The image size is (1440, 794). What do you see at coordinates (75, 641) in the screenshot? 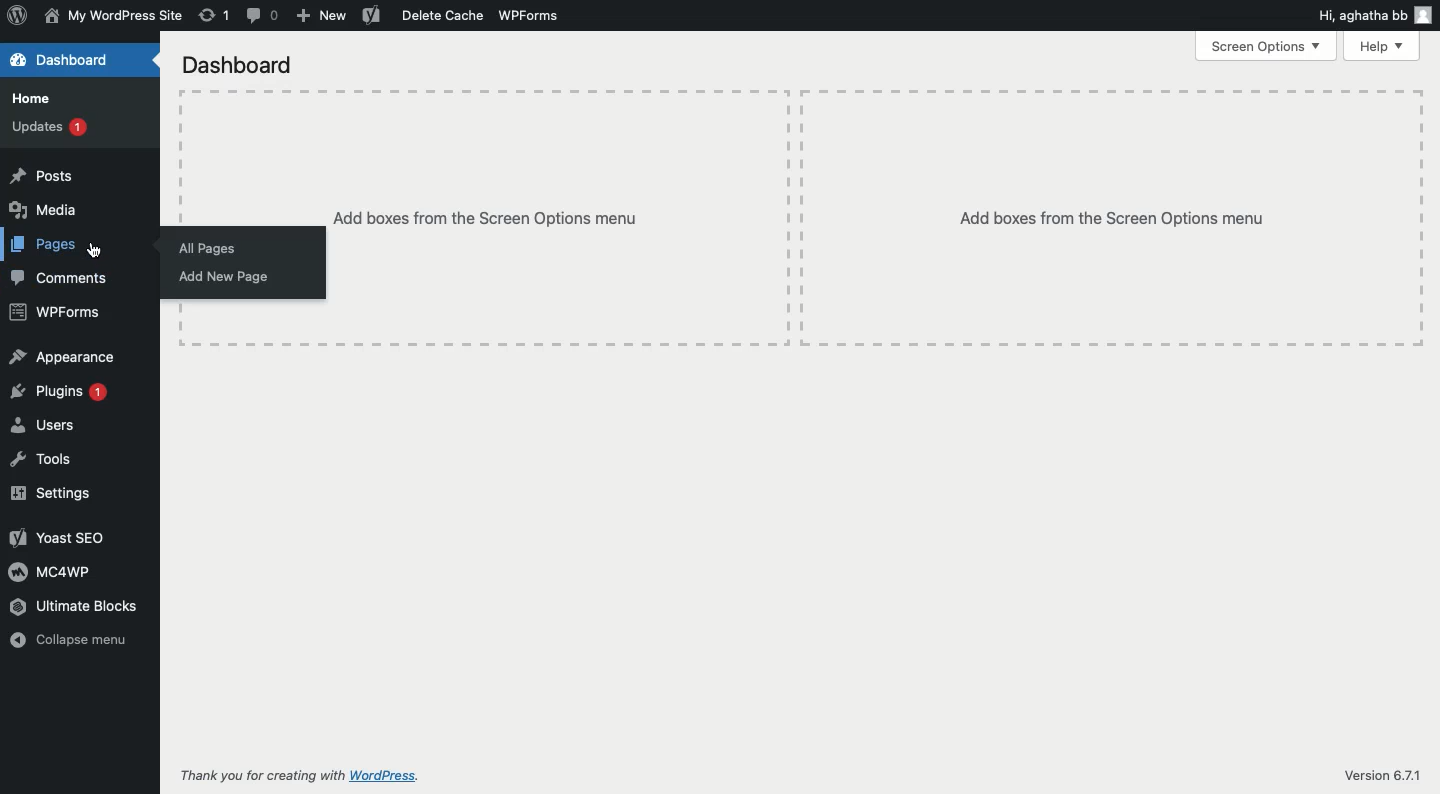
I see `Collapse menu` at bounding box center [75, 641].